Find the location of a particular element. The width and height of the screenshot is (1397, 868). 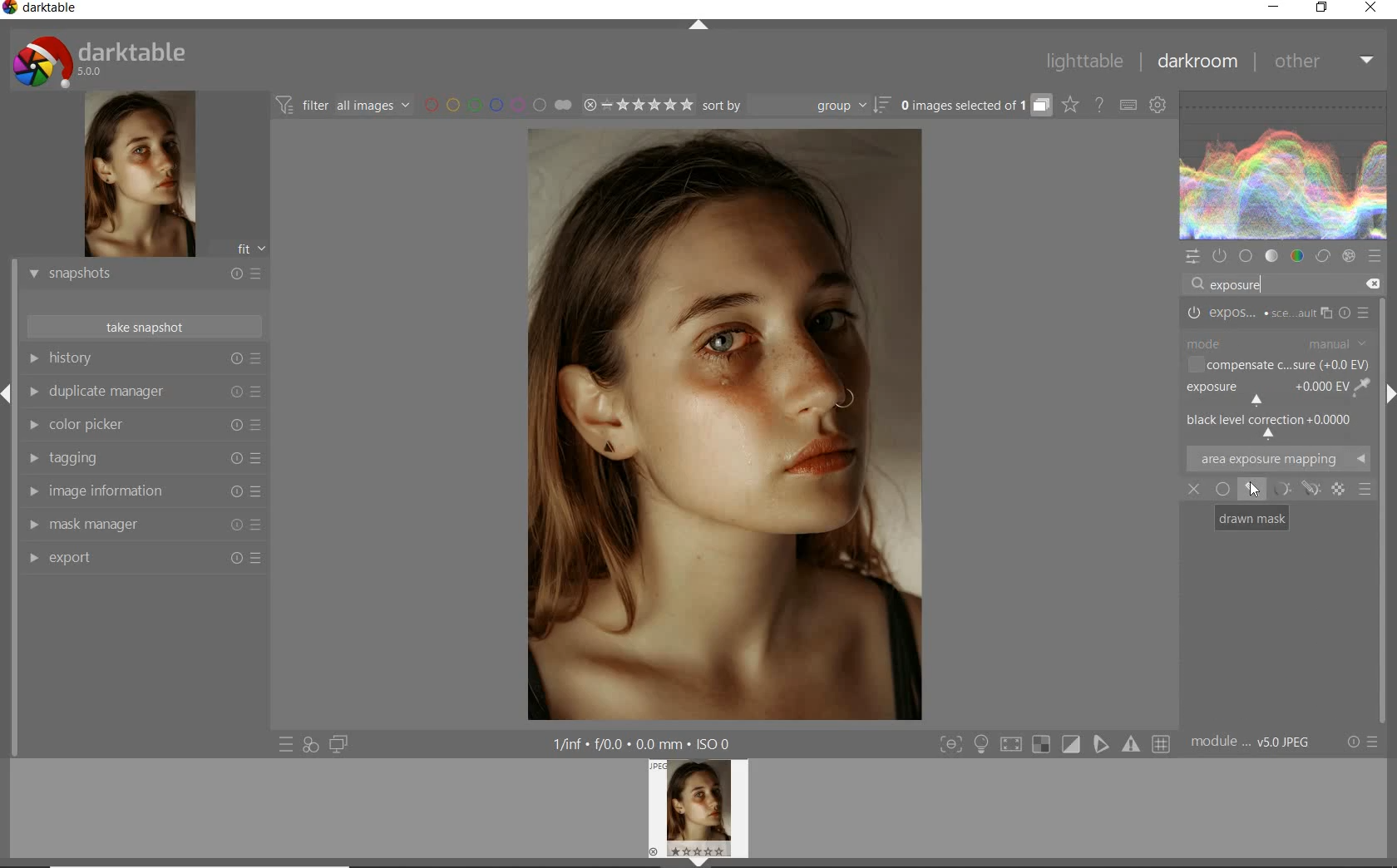

export is located at coordinates (142, 561).